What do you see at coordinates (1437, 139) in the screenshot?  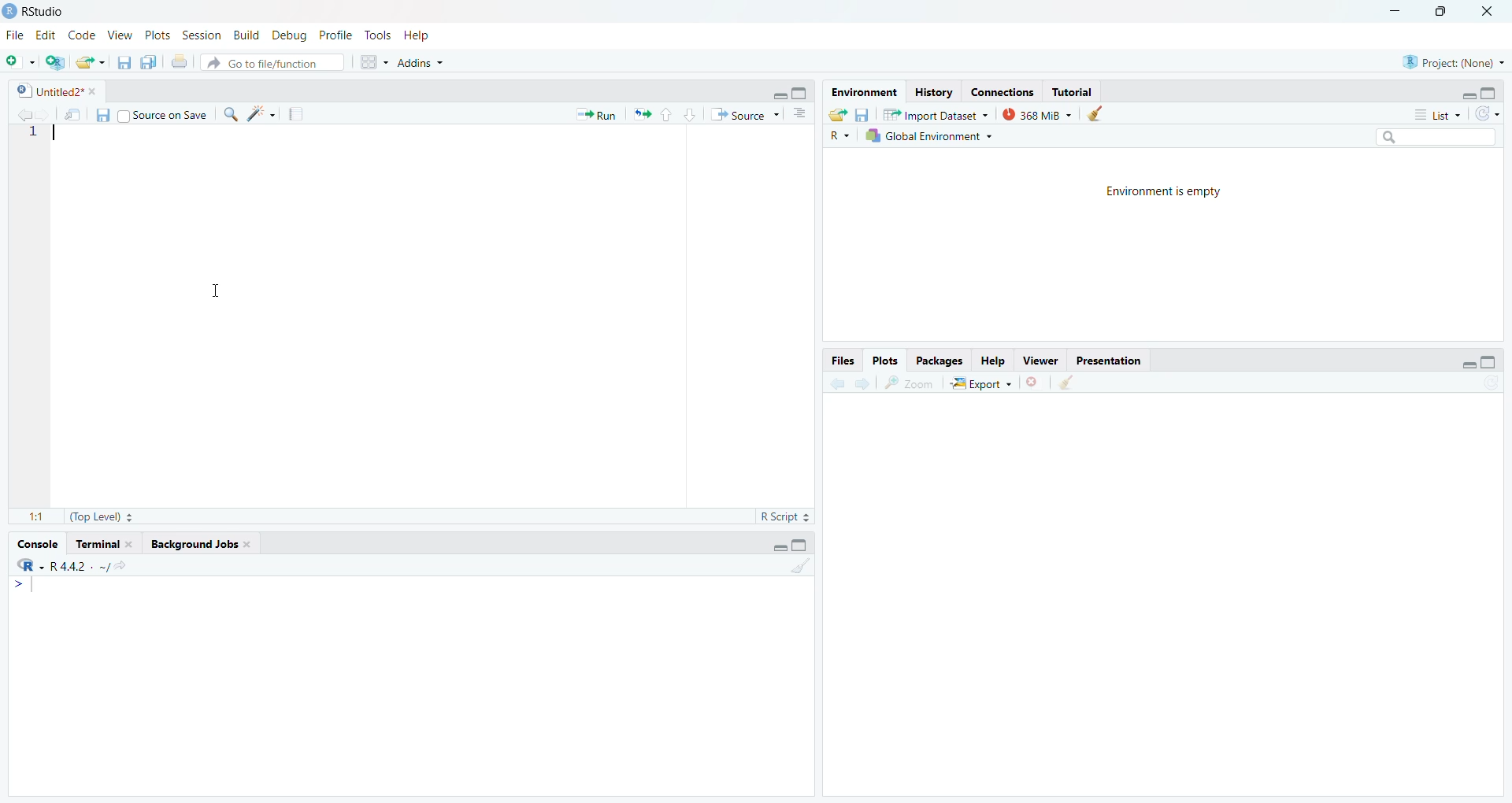 I see `search` at bounding box center [1437, 139].